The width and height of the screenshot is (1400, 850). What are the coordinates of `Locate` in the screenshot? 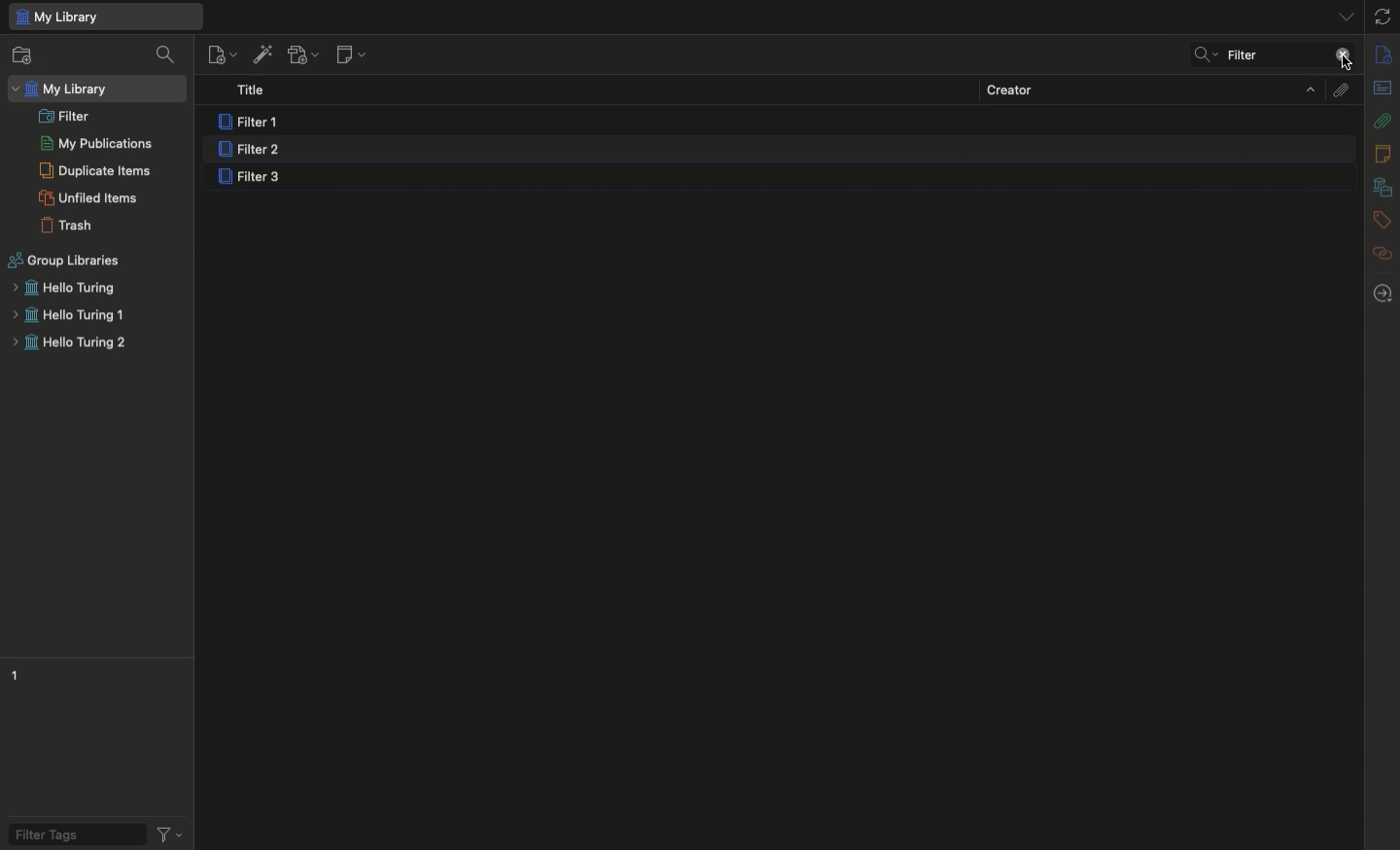 It's located at (1382, 294).